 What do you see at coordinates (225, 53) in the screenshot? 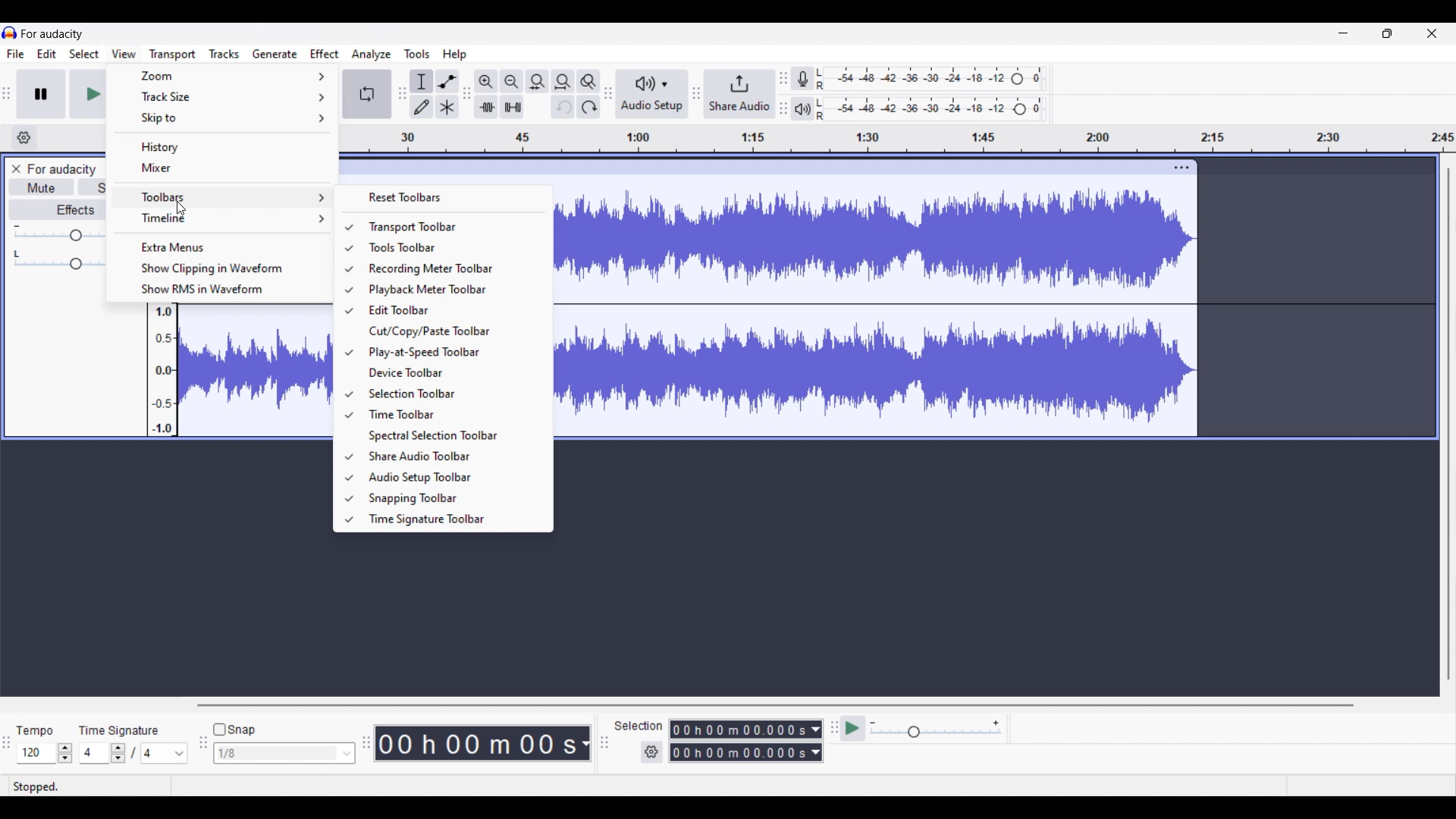
I see `Tracks` at bounding box center [225, 53].